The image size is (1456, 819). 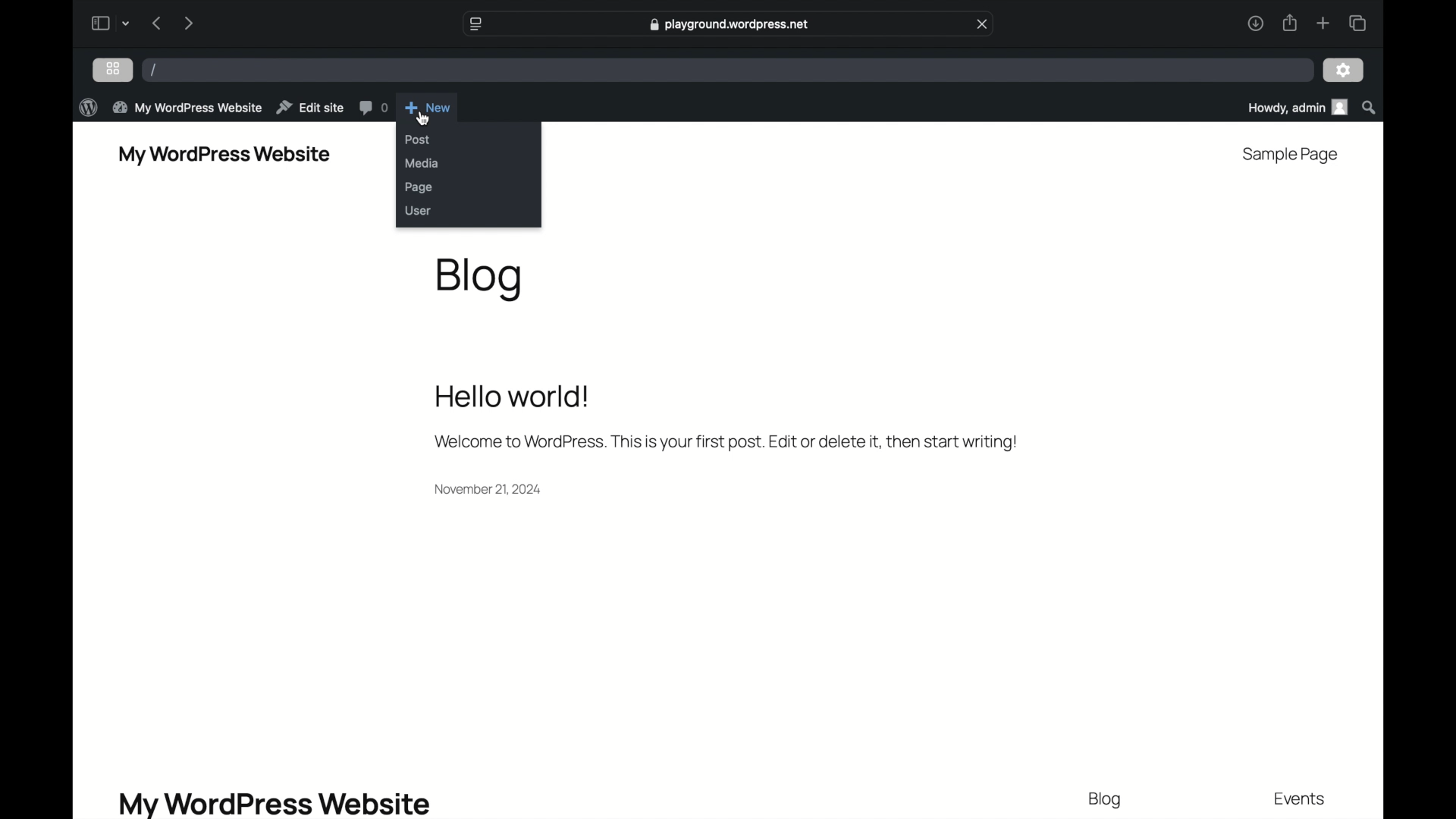 I want to click on web address, so click(x=730, y=24).